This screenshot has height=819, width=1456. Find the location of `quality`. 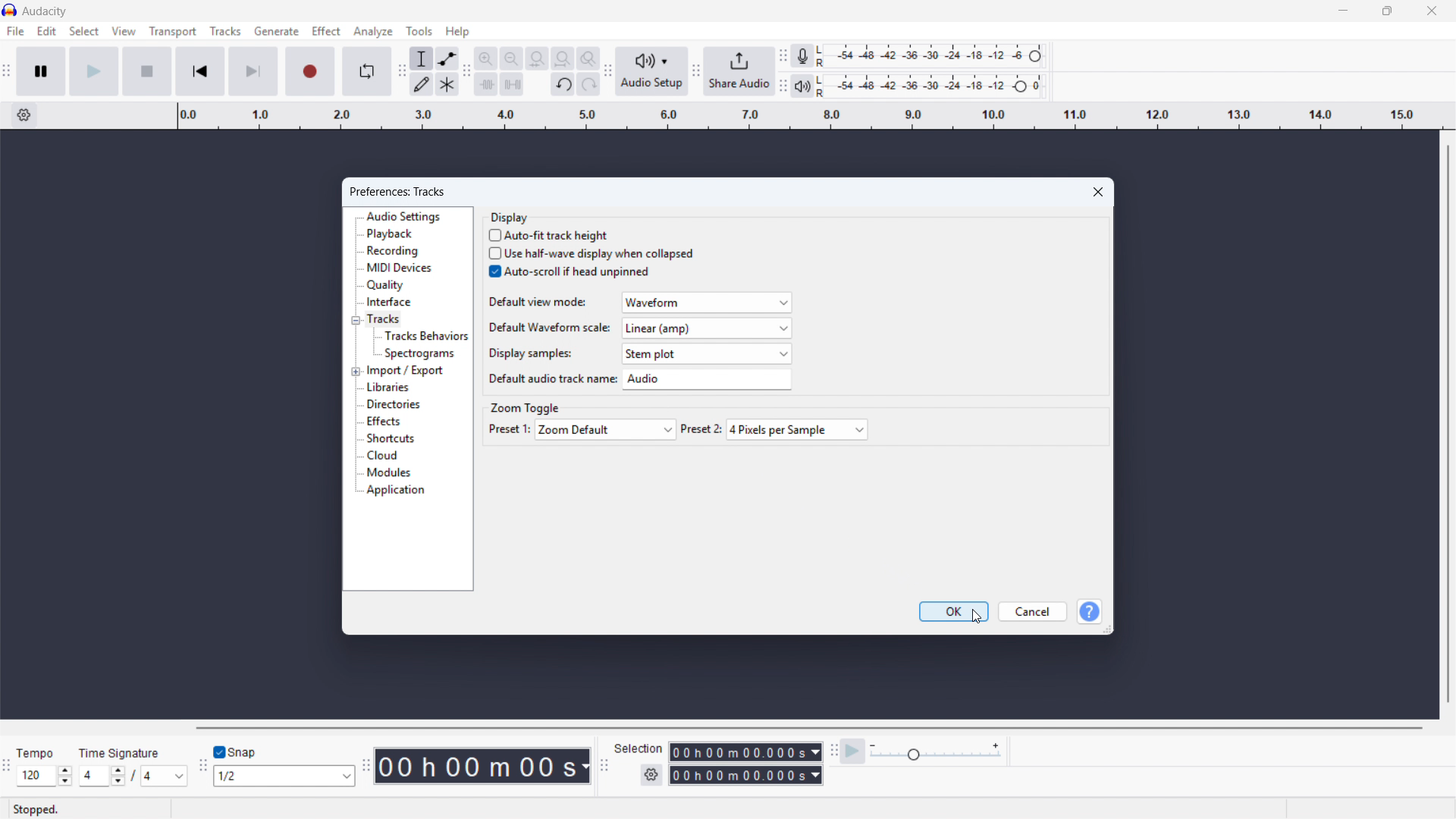

quality is located at coordinates (386, 286).